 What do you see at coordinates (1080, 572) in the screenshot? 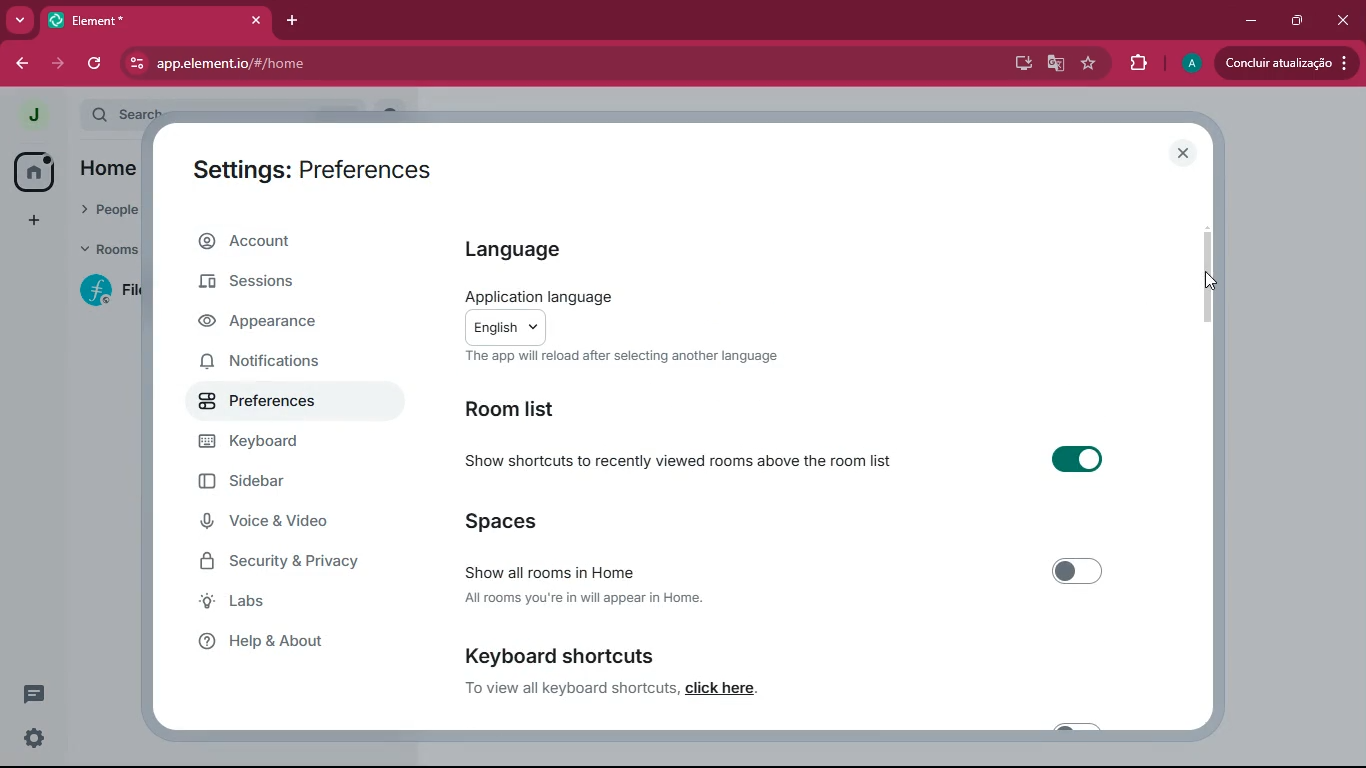
I see `toggle off or on` at bounding box center [1080, 572].